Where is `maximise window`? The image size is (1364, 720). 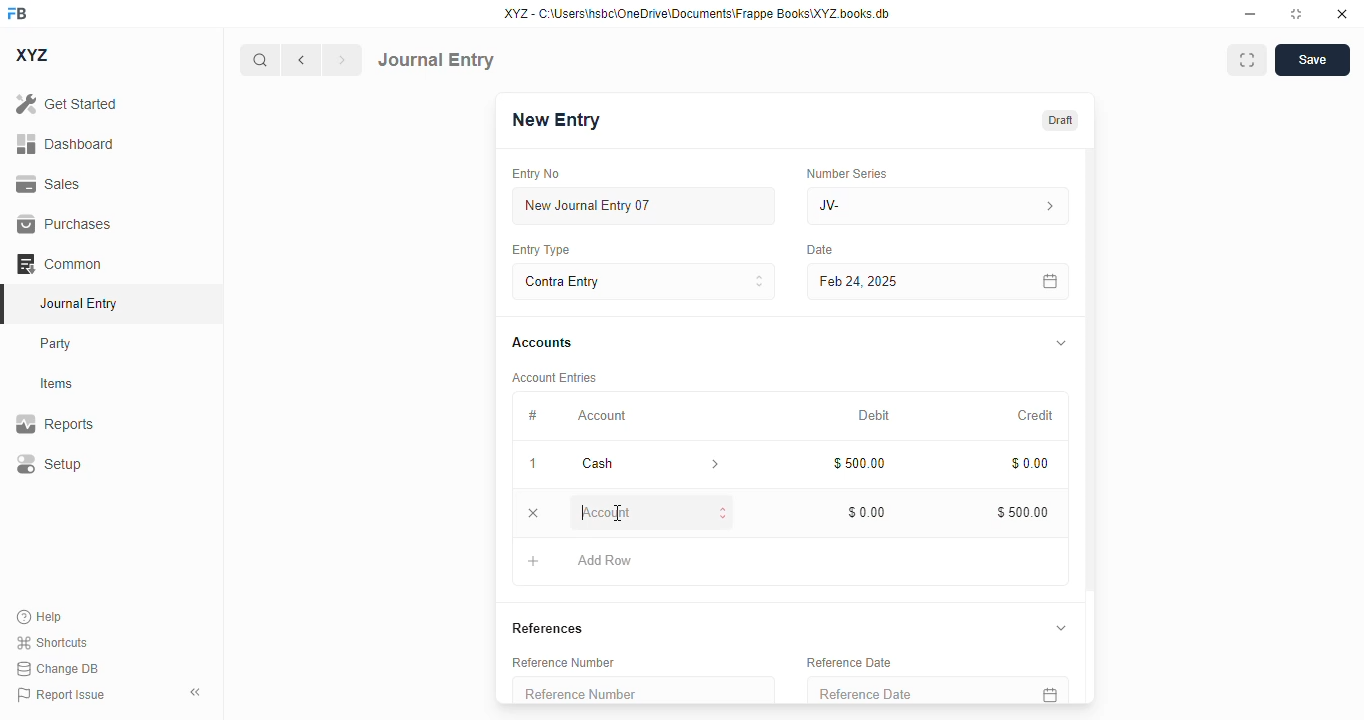 maximise window is located at coordinates (1247, 60).